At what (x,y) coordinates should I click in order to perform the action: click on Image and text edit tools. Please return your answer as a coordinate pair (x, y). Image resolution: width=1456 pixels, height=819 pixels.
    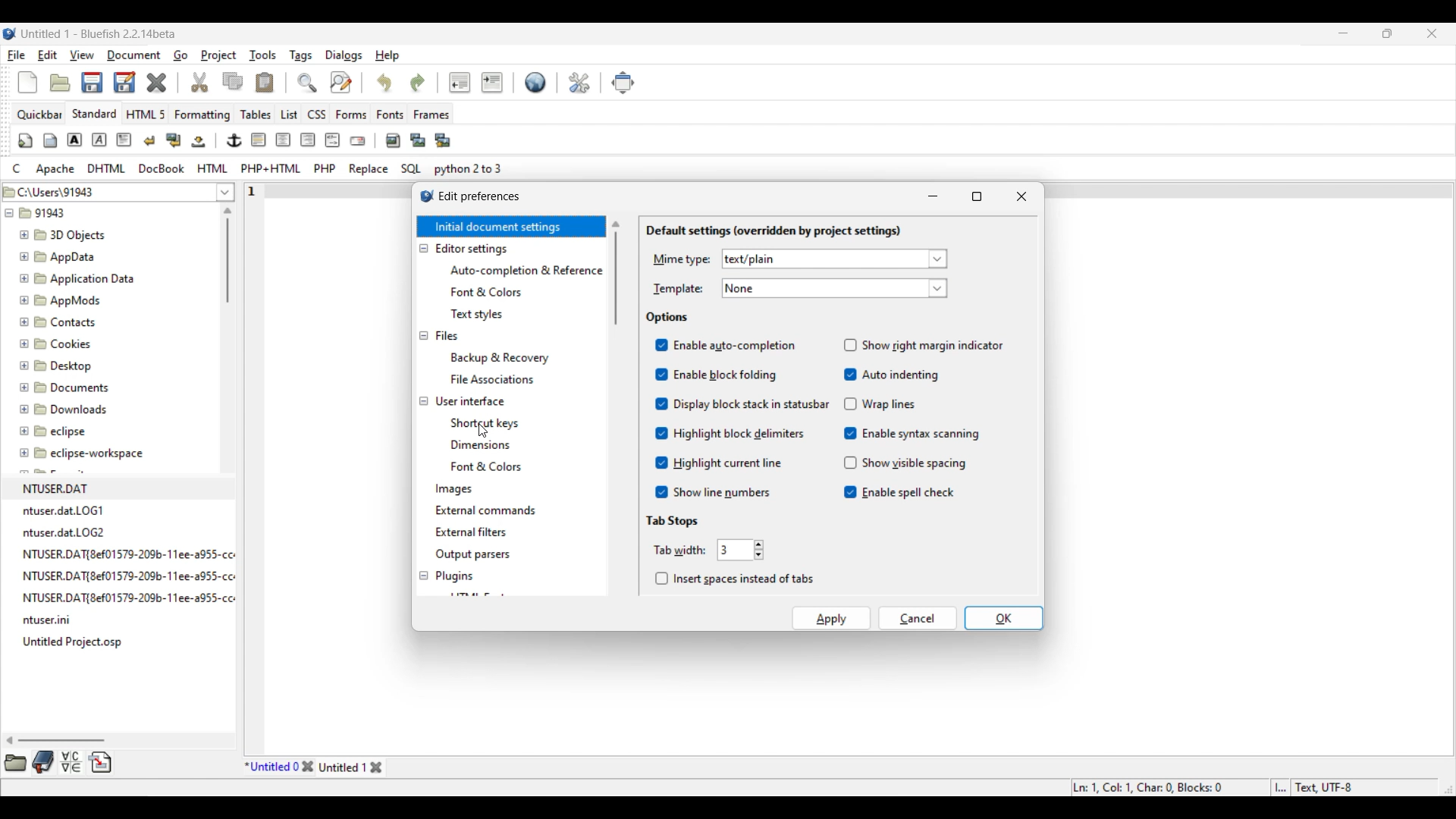
    Looking at the image, I should click on (235, 140).